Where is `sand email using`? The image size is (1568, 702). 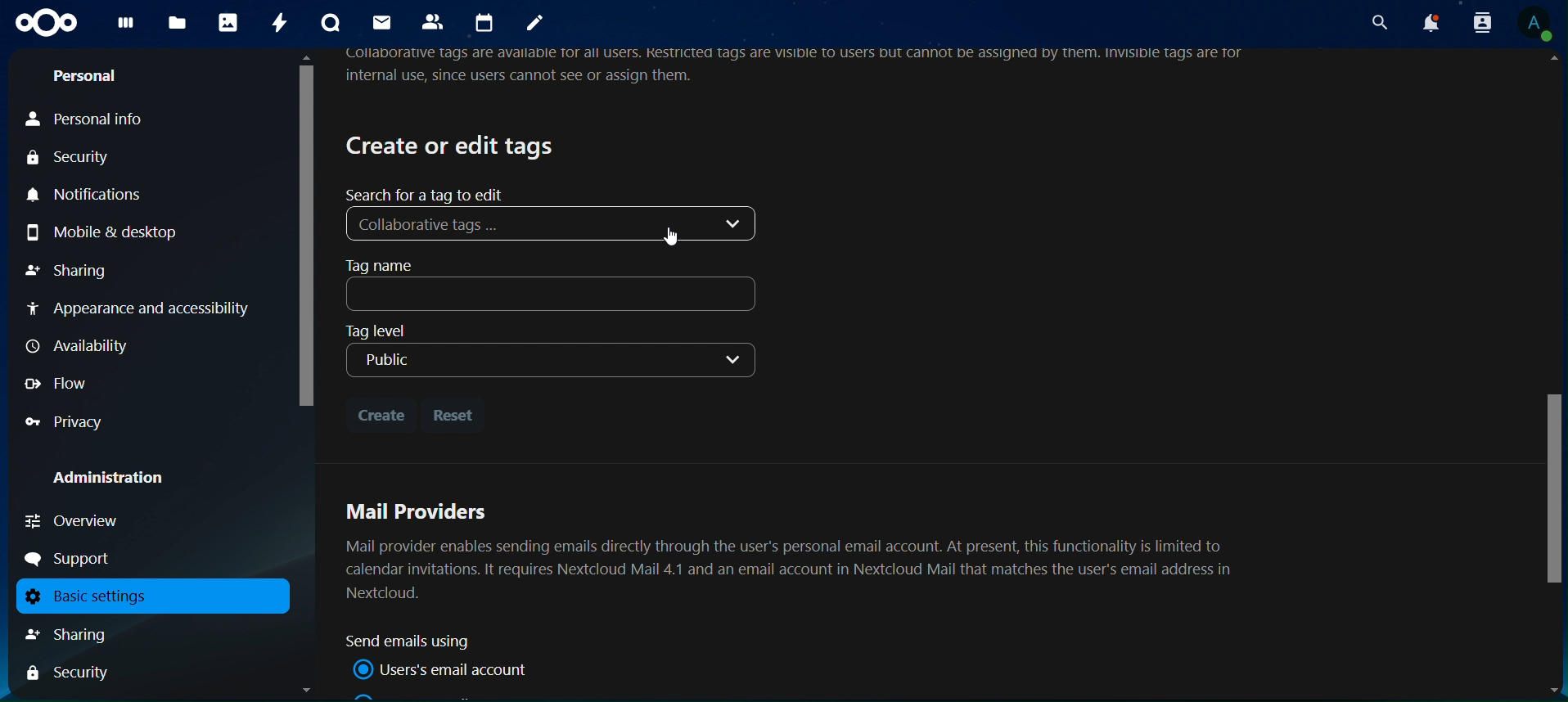 sand email using is located at coordinates (415, 641).